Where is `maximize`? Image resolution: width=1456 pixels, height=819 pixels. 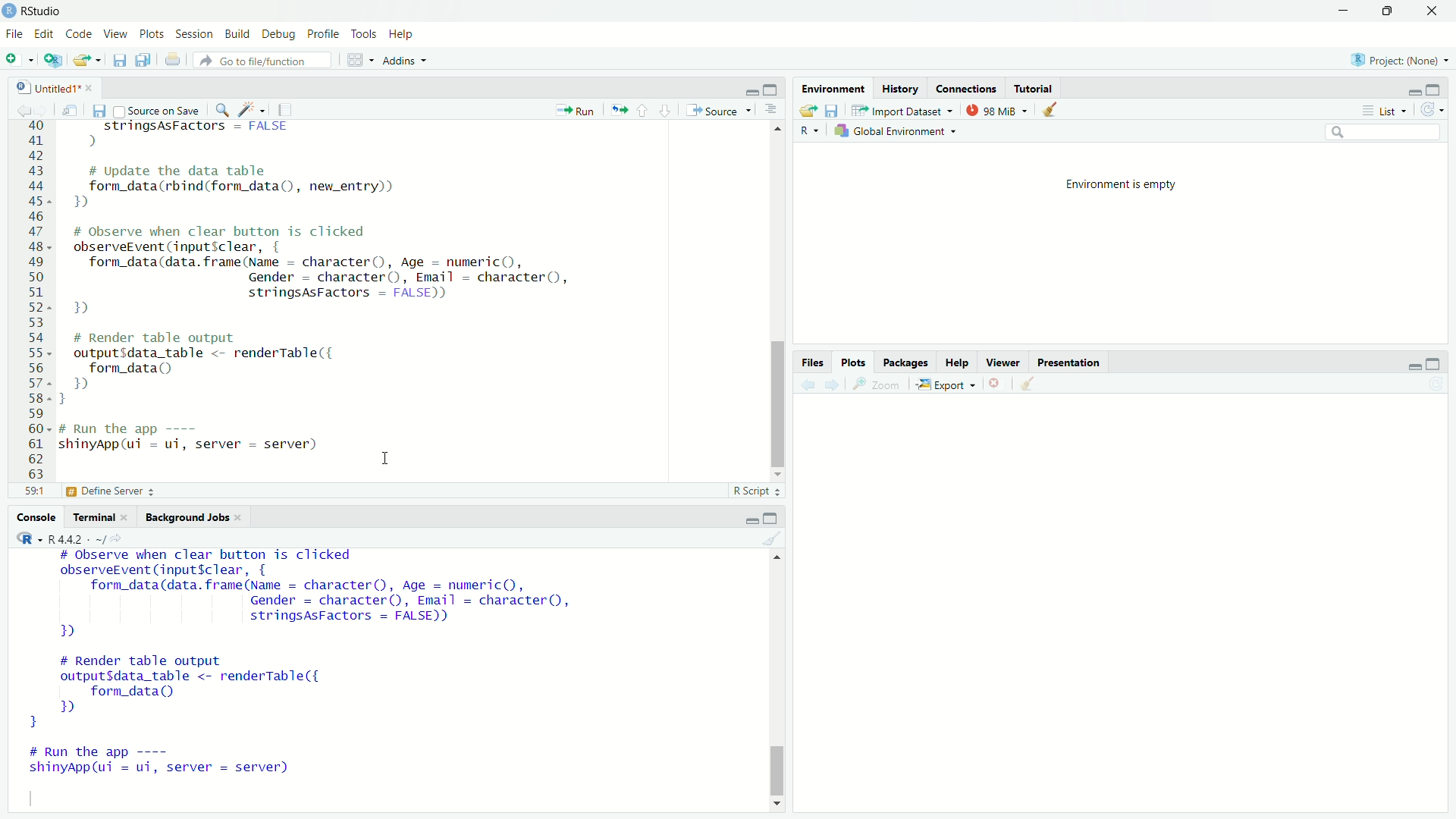 maximize is located at coordinates (775, 90).